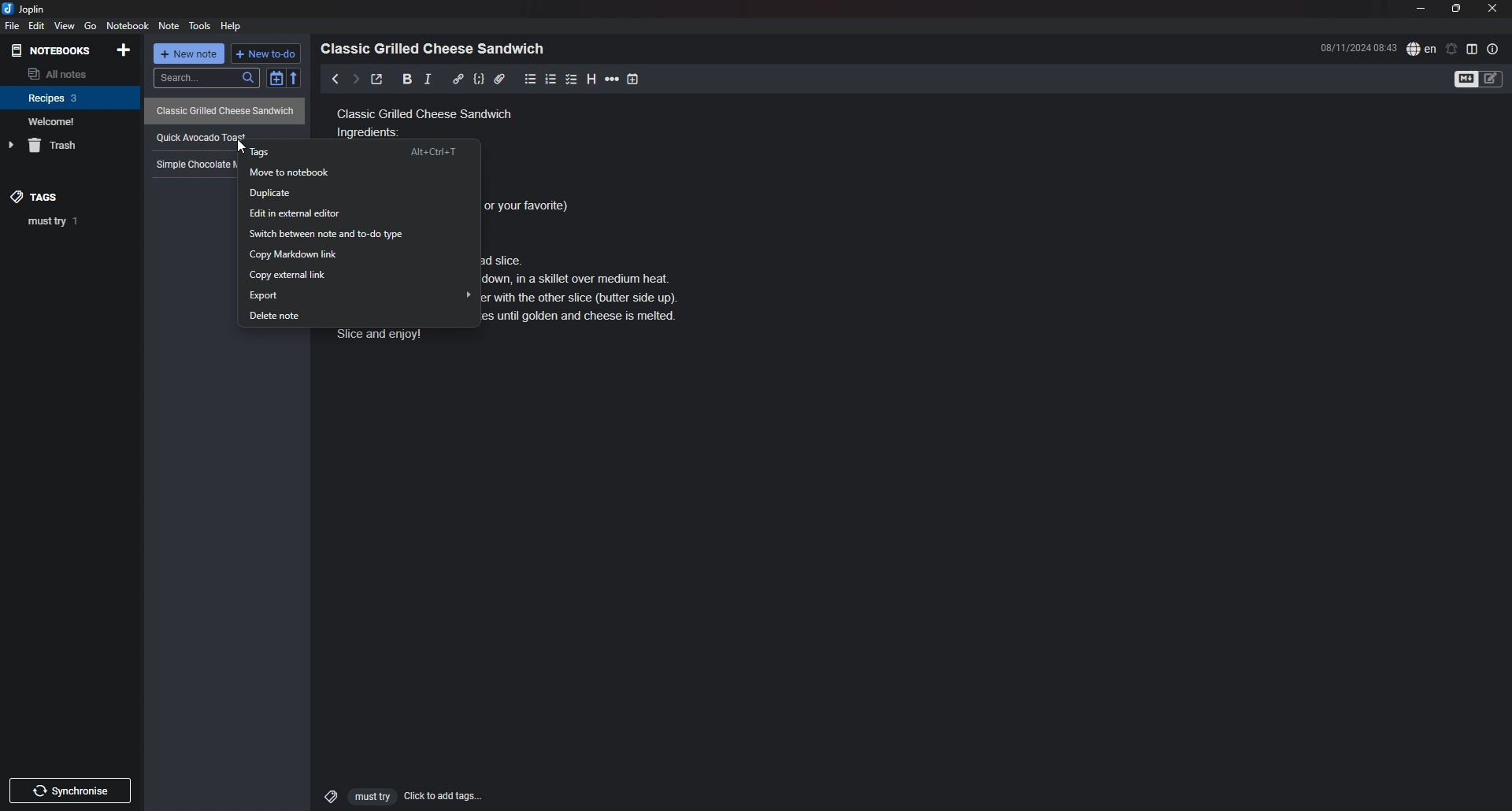  I want to click on next, so click(354, 79).